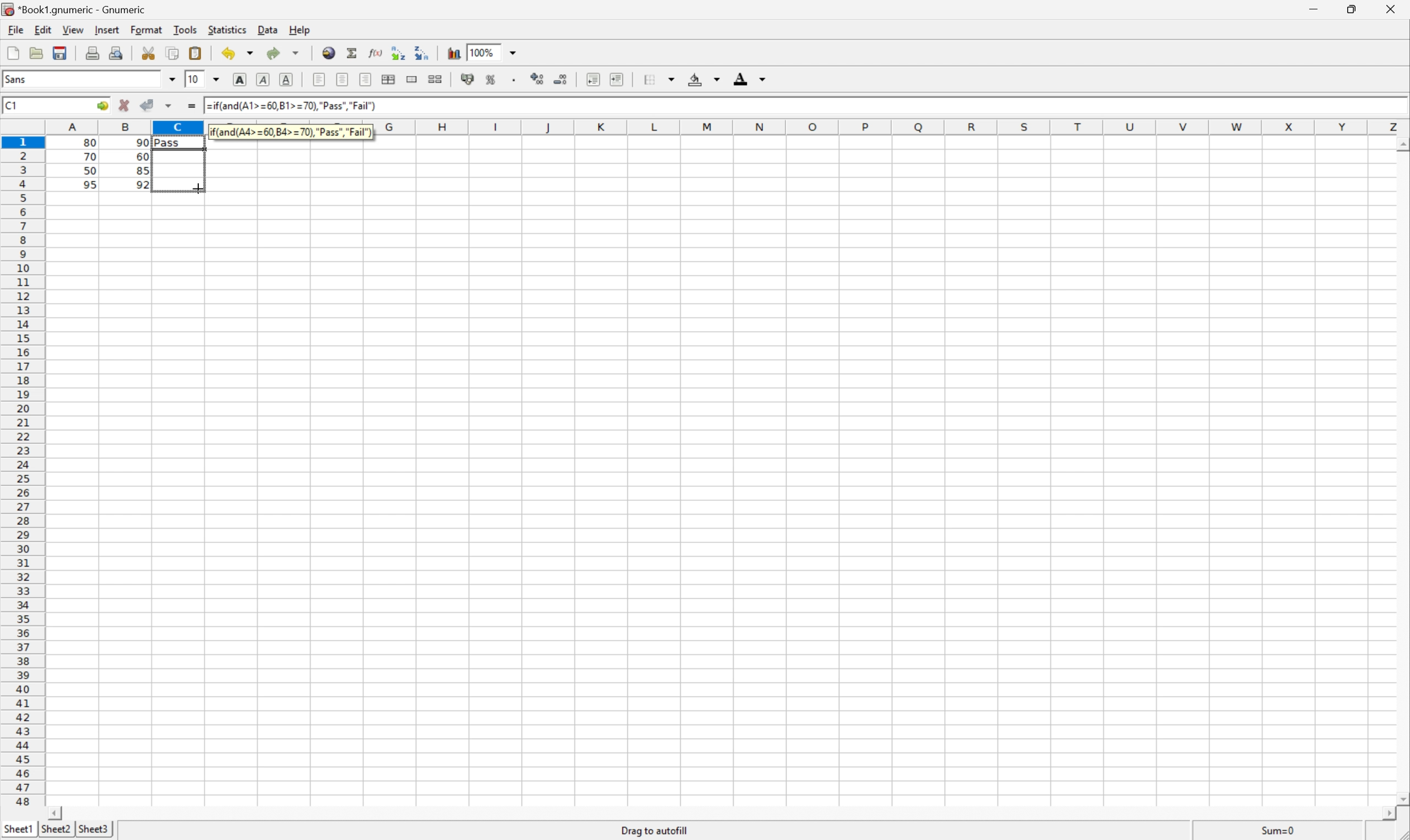 The width and height of the screenshot is (1410, 840). Describe the element at coordinates (174, 52) in the screenshot. I see `Copy the selection` at that location.